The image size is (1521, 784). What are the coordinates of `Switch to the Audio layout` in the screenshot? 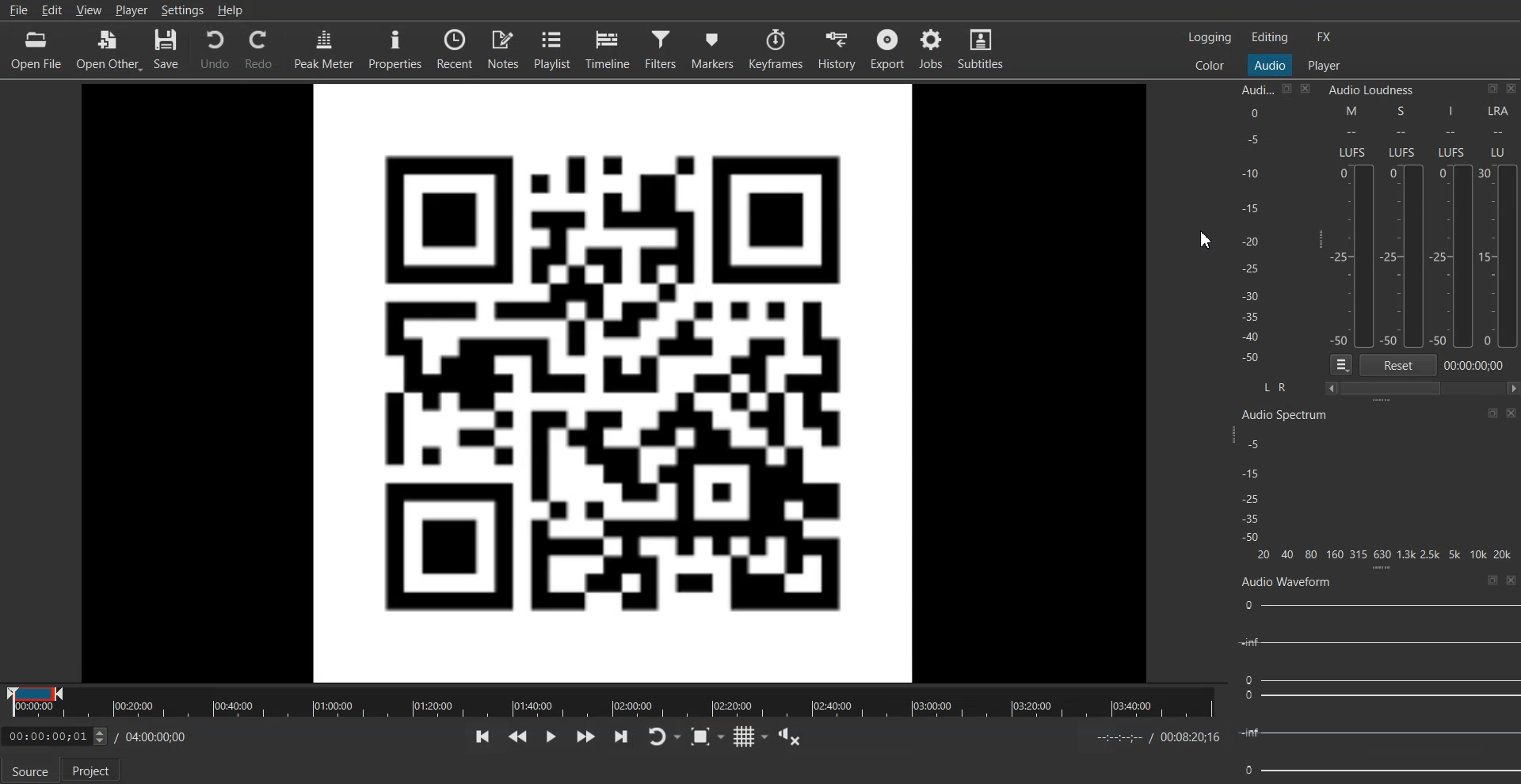 It's located at (1270, 65).